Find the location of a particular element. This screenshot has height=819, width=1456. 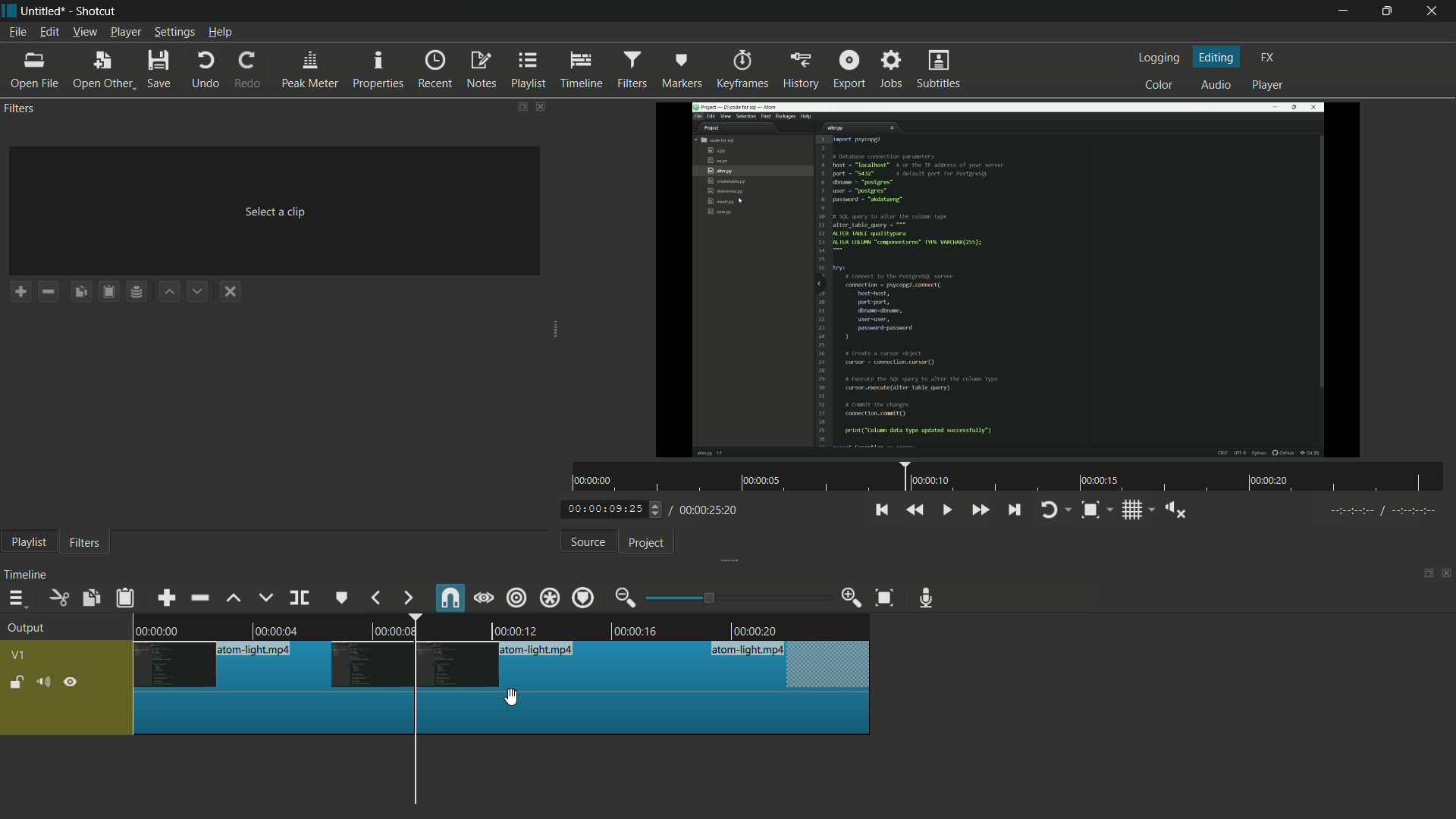

ripple all tracks is located at coordinates (549, 597).